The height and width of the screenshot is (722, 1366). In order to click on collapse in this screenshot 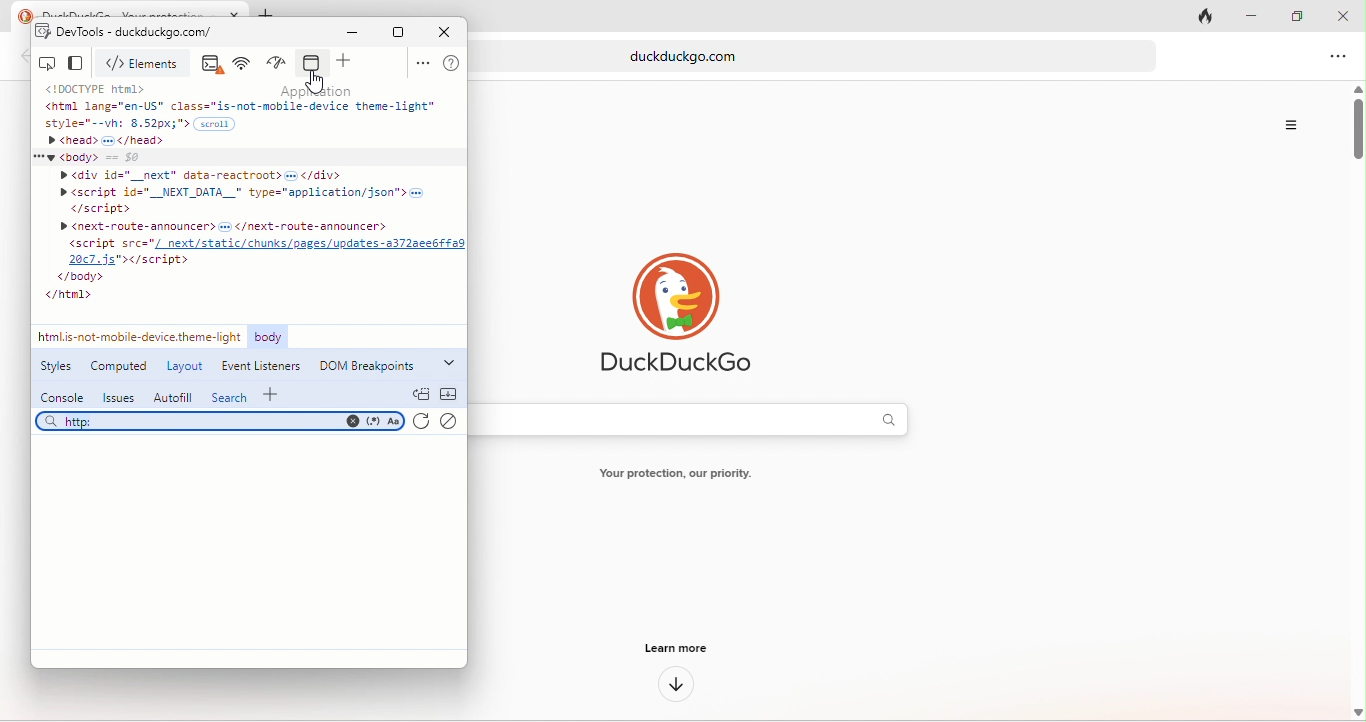, I will do `click(452, 396)`.